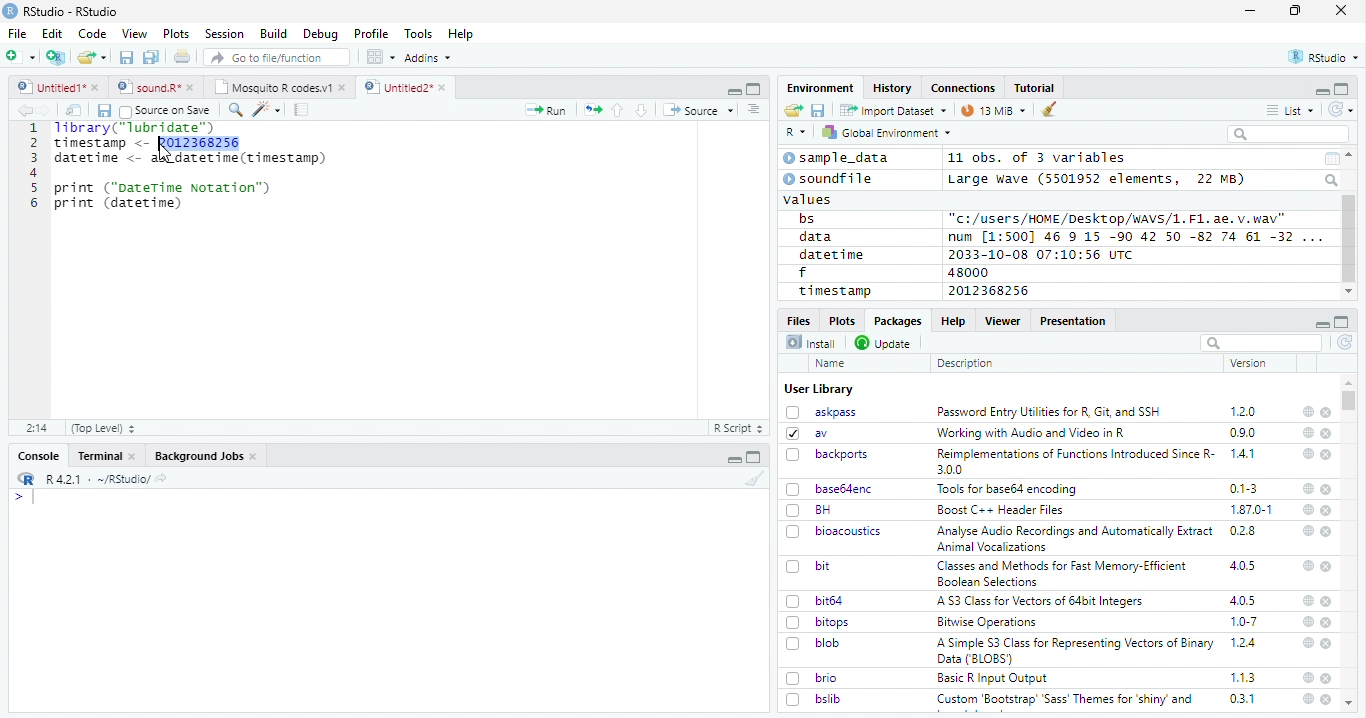 The width and height of the screenshot is (1366, 718). What do you see at coordinates (1348, 292) in the screenshot?
I see `scroll down` at bounding box center [1348, 292].